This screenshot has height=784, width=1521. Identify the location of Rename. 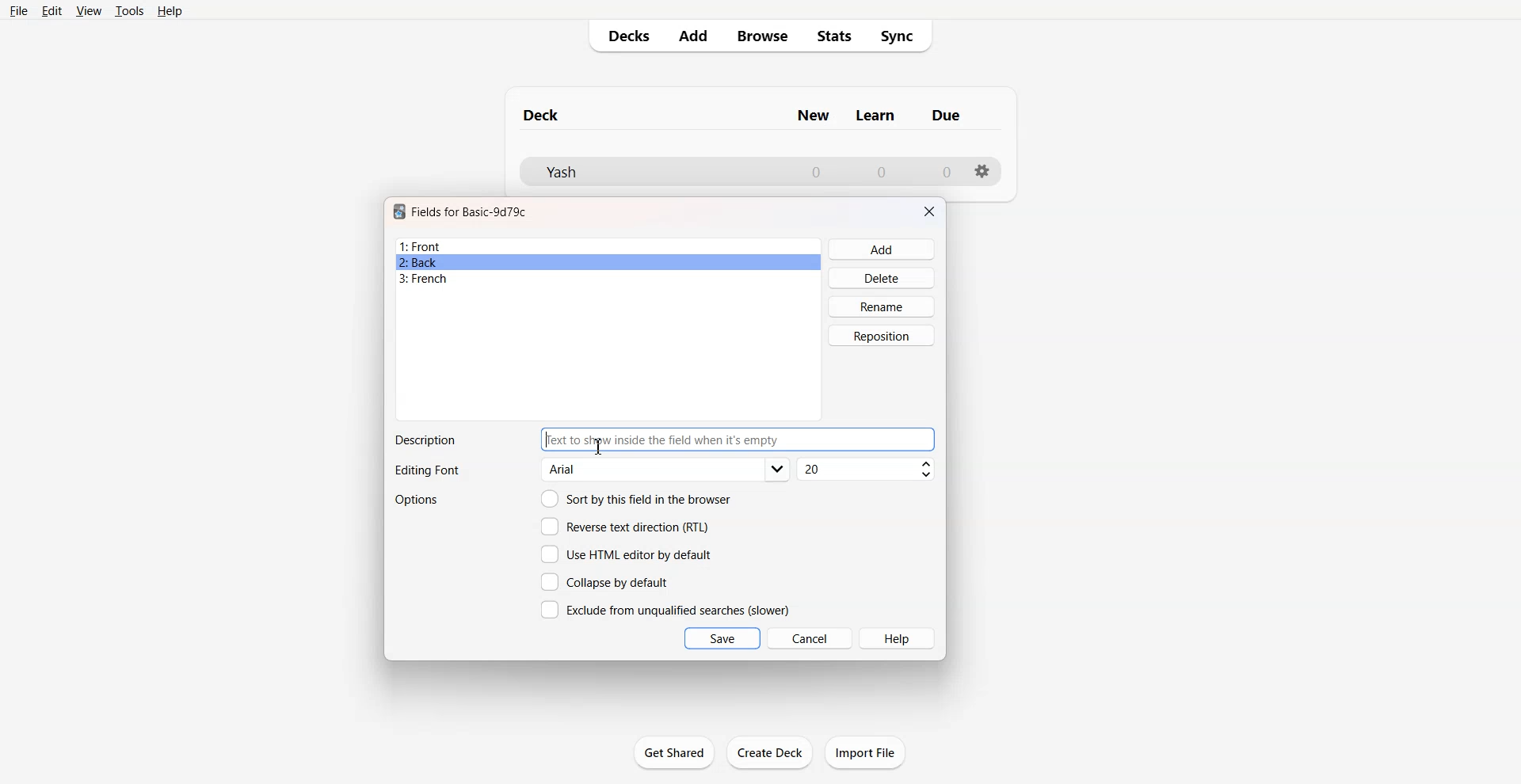
(882, 306).